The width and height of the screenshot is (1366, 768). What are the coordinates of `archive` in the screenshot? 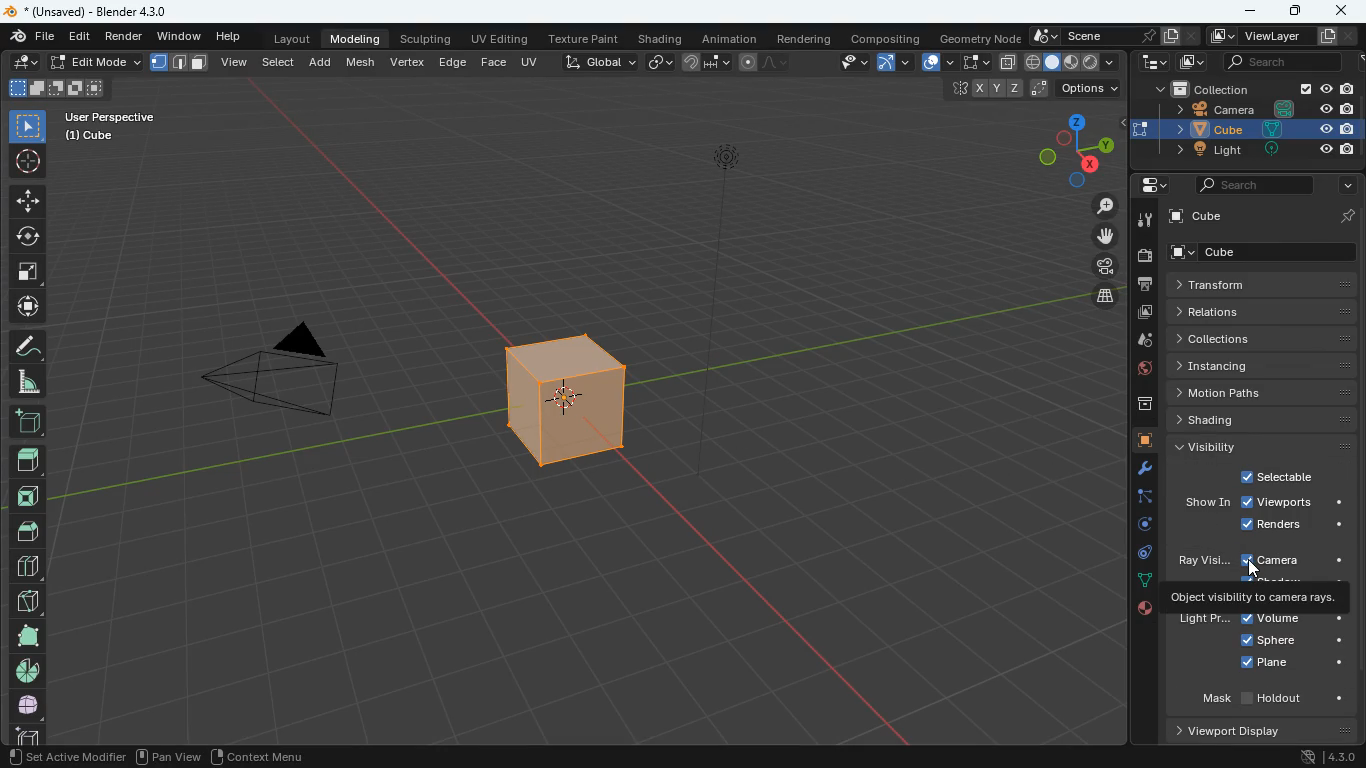 It's located at (1135, 404).